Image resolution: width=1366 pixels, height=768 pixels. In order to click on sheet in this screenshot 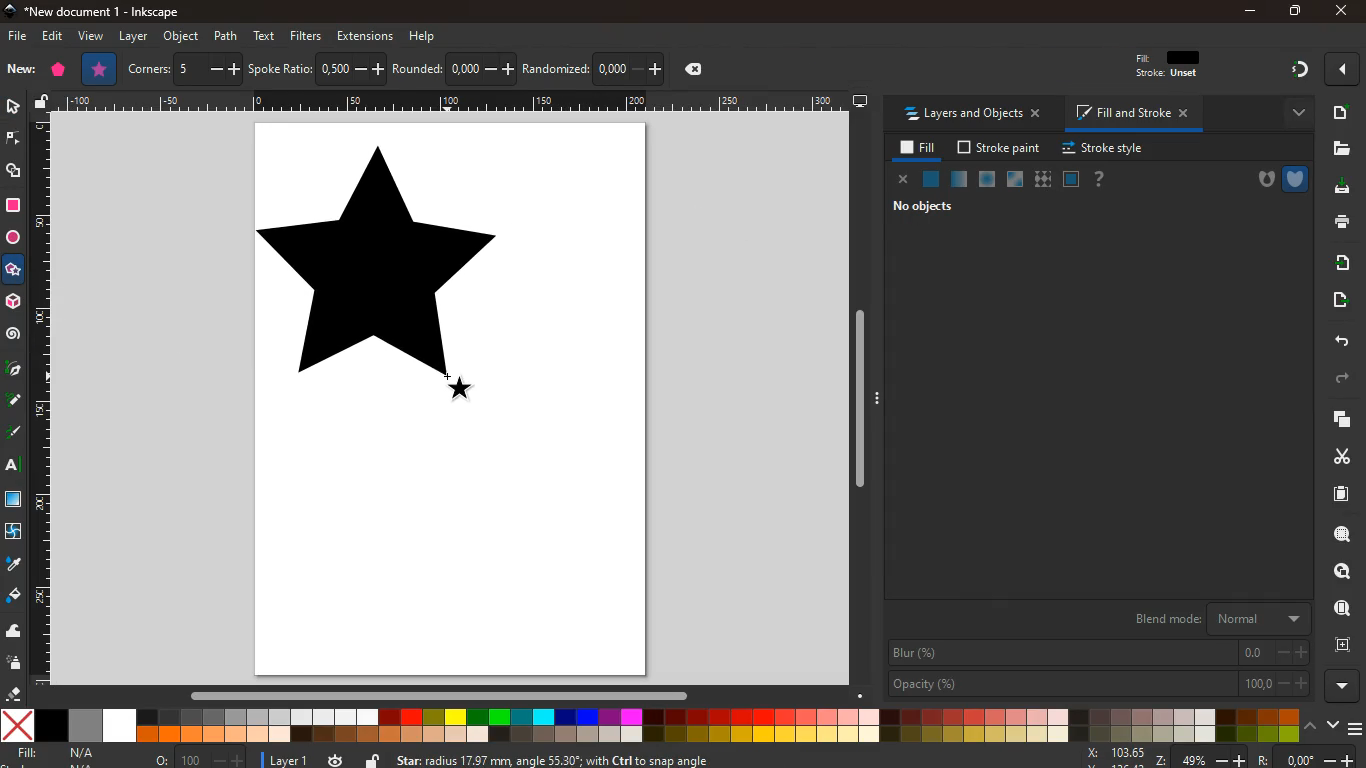, I will do `click(1334, 498)`.